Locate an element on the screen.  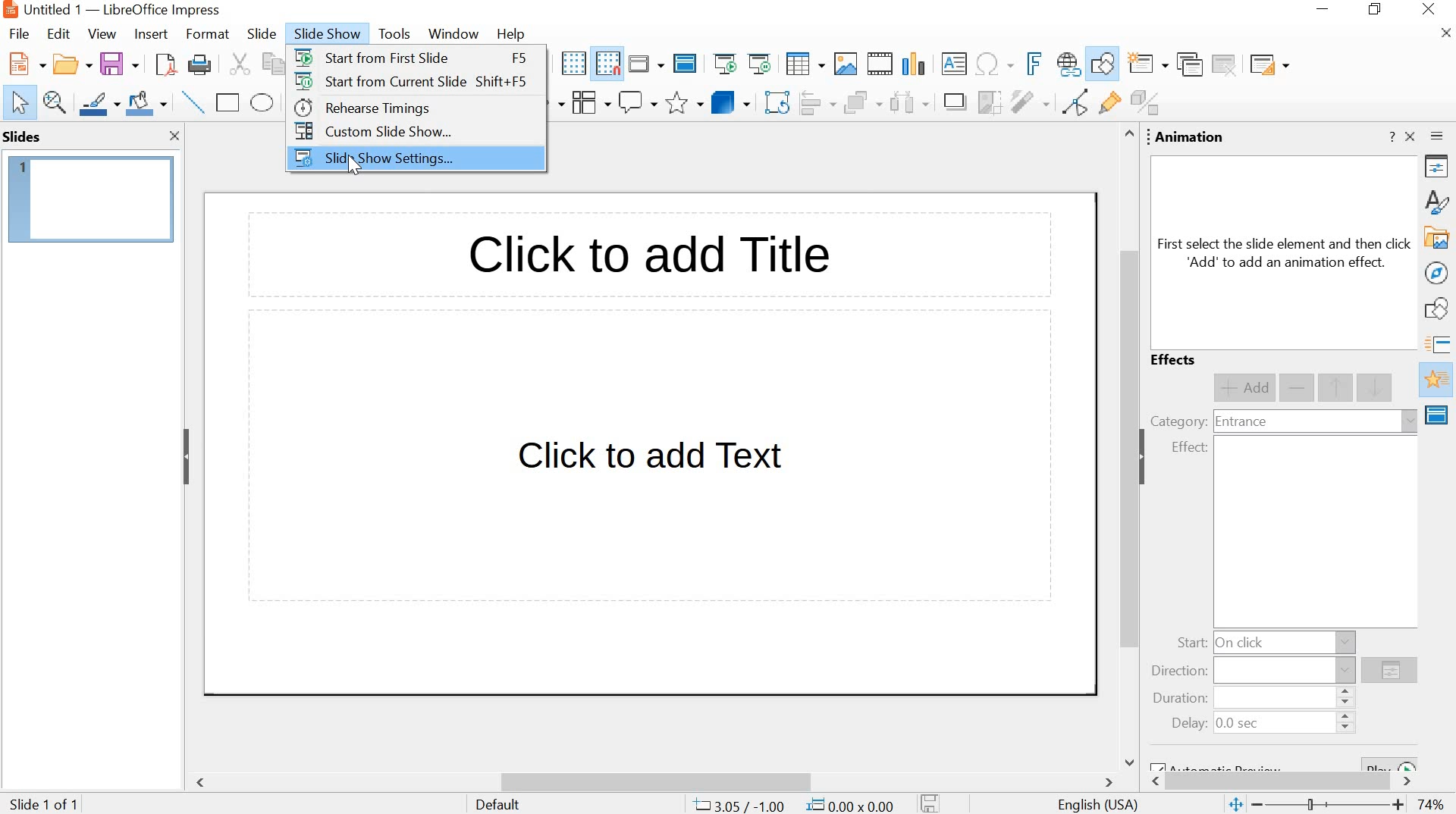
print is located at coordinates (199, 67).